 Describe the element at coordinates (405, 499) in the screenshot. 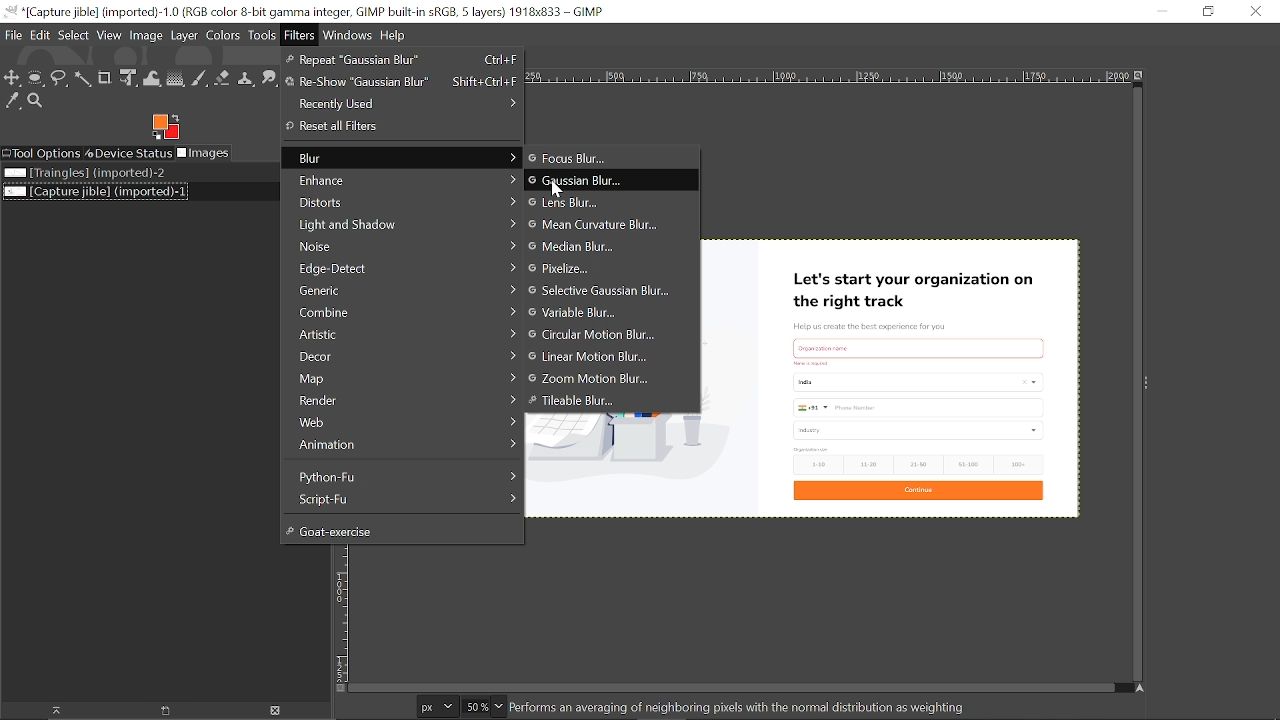

I see `Script-Fu` at that location.